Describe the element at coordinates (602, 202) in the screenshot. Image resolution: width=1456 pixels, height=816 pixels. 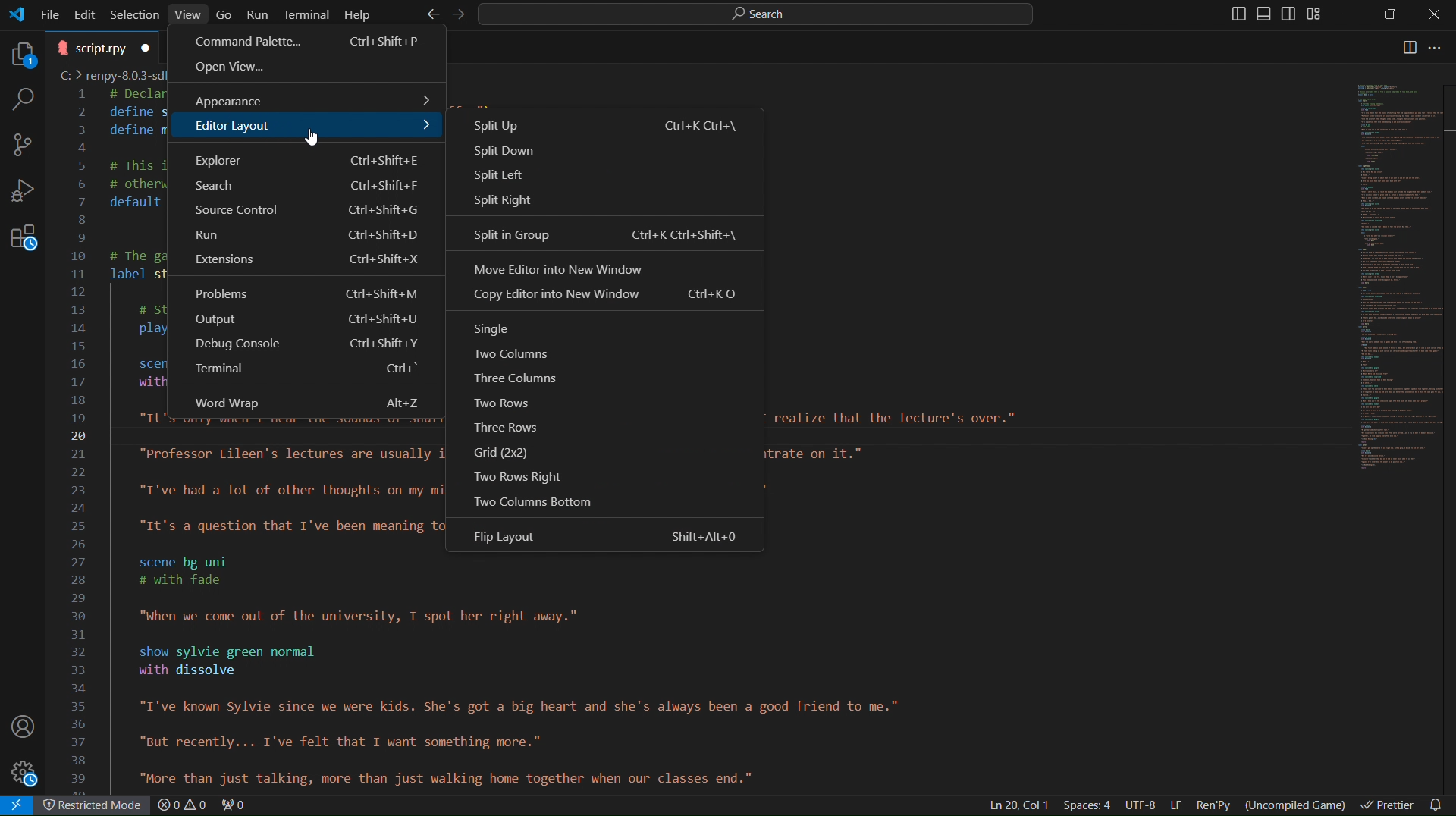
I see `Split Right` at that location.